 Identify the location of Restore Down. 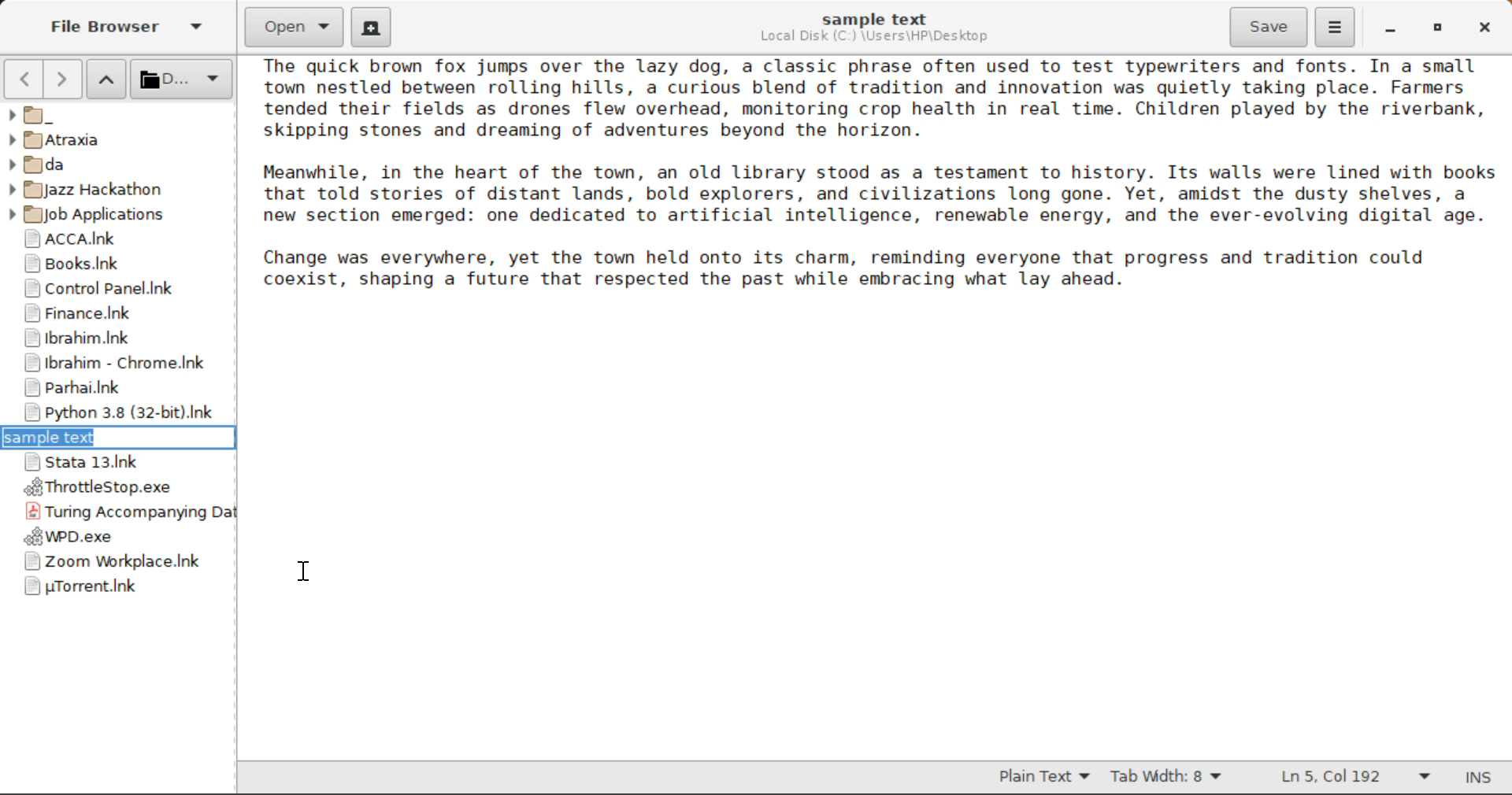
(1388, 30).